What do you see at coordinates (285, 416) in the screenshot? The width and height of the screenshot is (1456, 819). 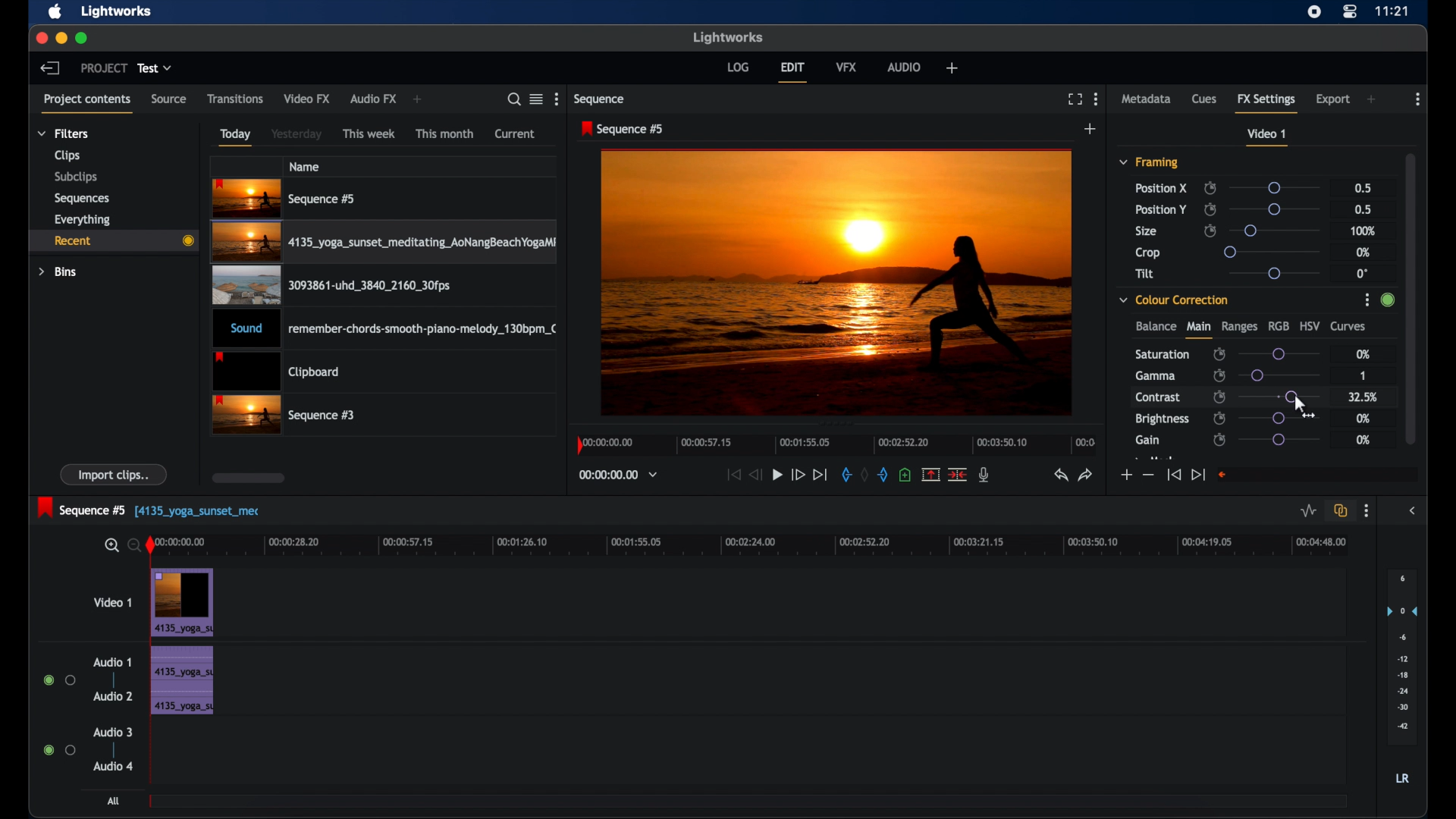 I see `video clip` at bounding box center [285, 416].